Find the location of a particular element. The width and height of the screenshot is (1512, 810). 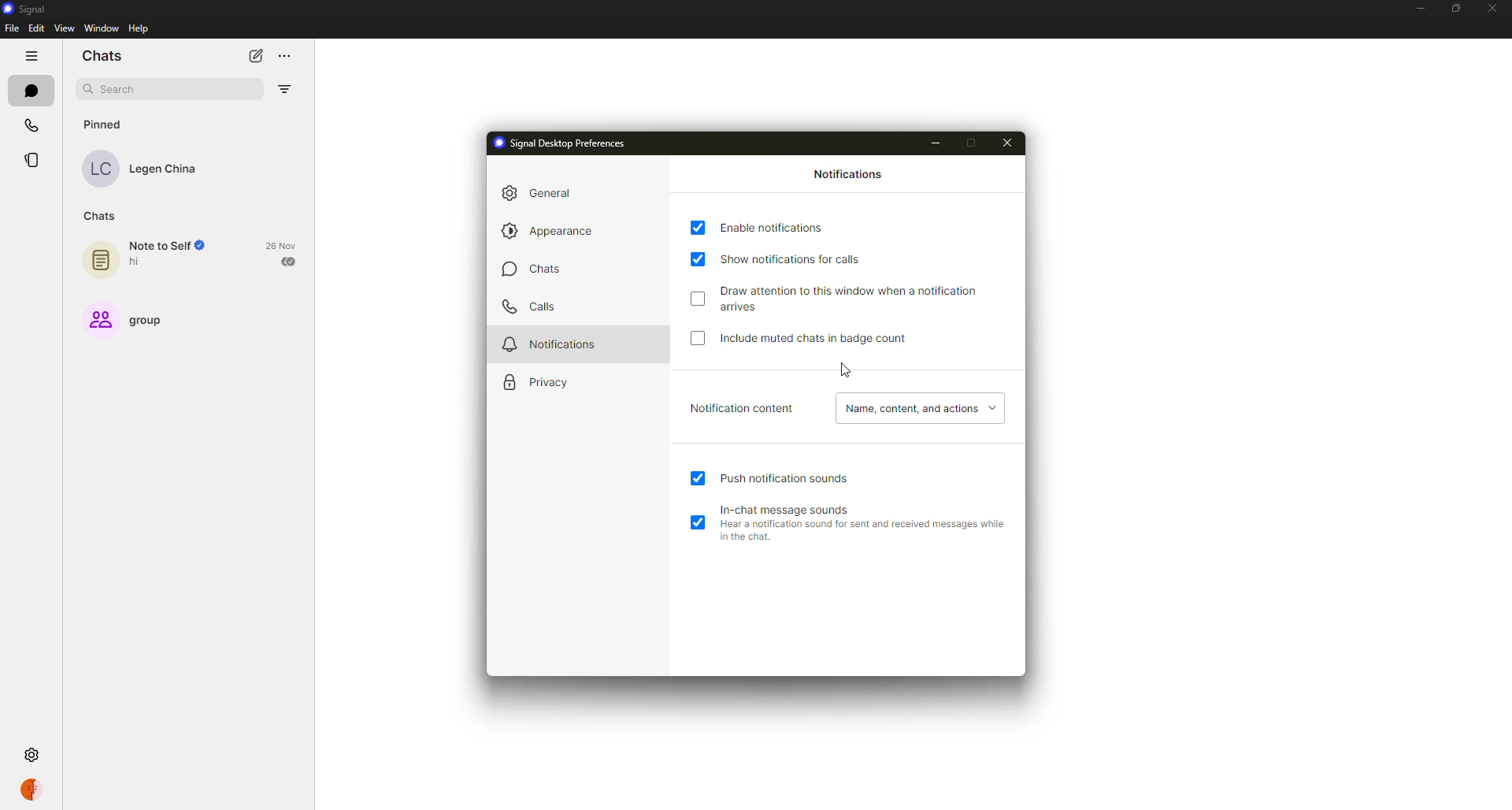

minimize is located at coordinates (1422, 8).